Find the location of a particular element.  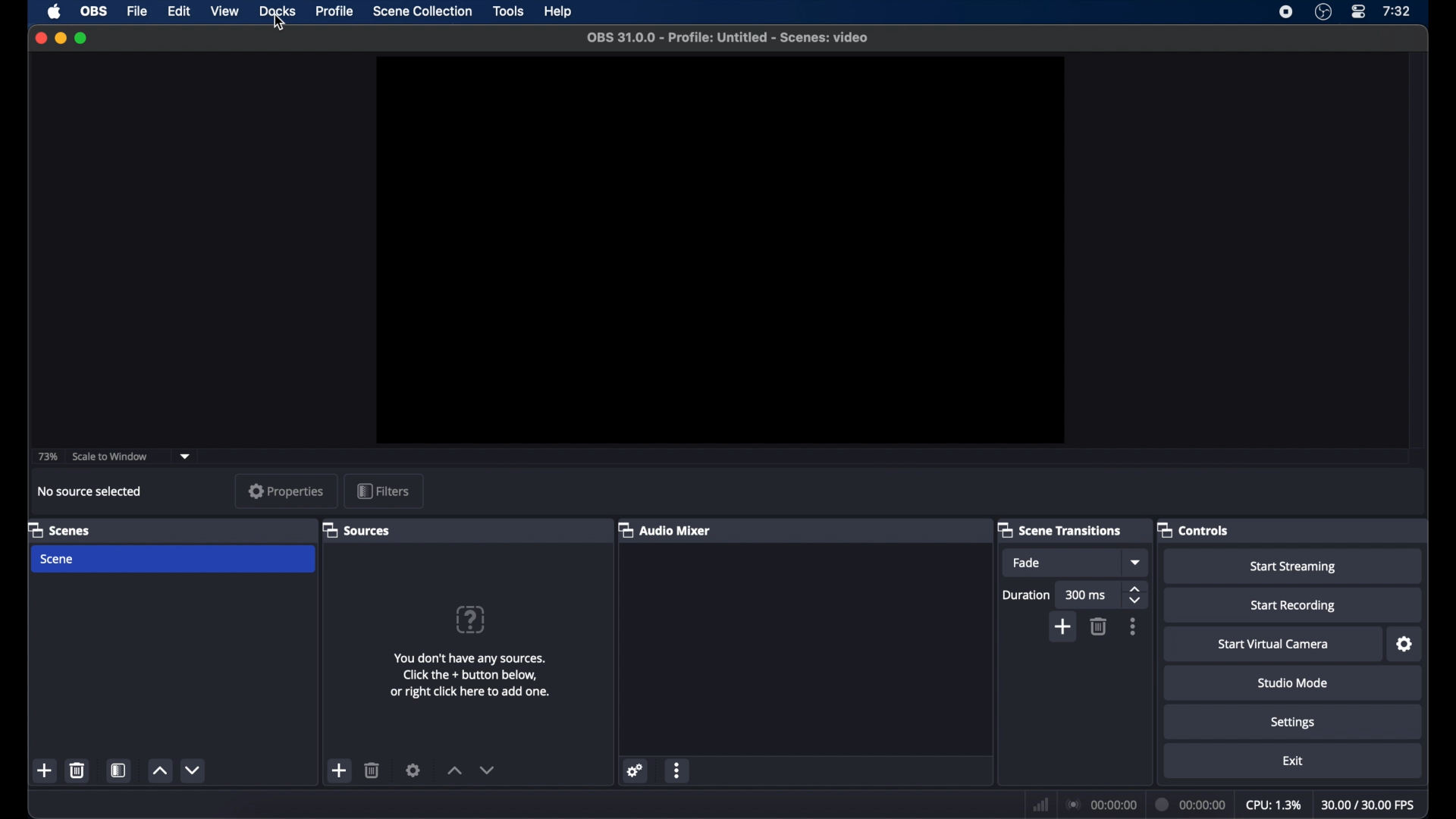

scene collection is located at coordinates (424, 11).